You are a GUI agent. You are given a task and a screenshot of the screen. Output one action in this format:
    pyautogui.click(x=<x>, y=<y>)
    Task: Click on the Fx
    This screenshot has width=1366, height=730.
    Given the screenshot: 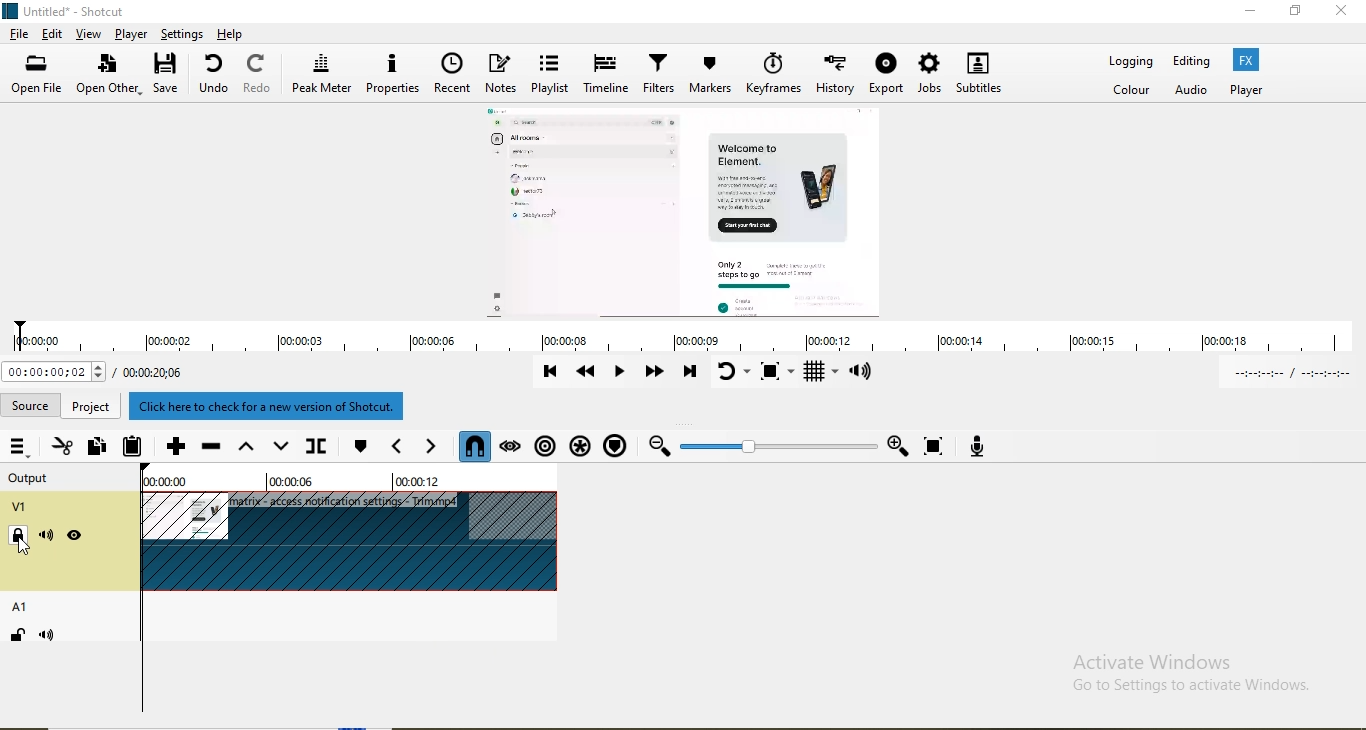 What is the action you would take?
    pyautogui.click(x=1246, y=59)
    